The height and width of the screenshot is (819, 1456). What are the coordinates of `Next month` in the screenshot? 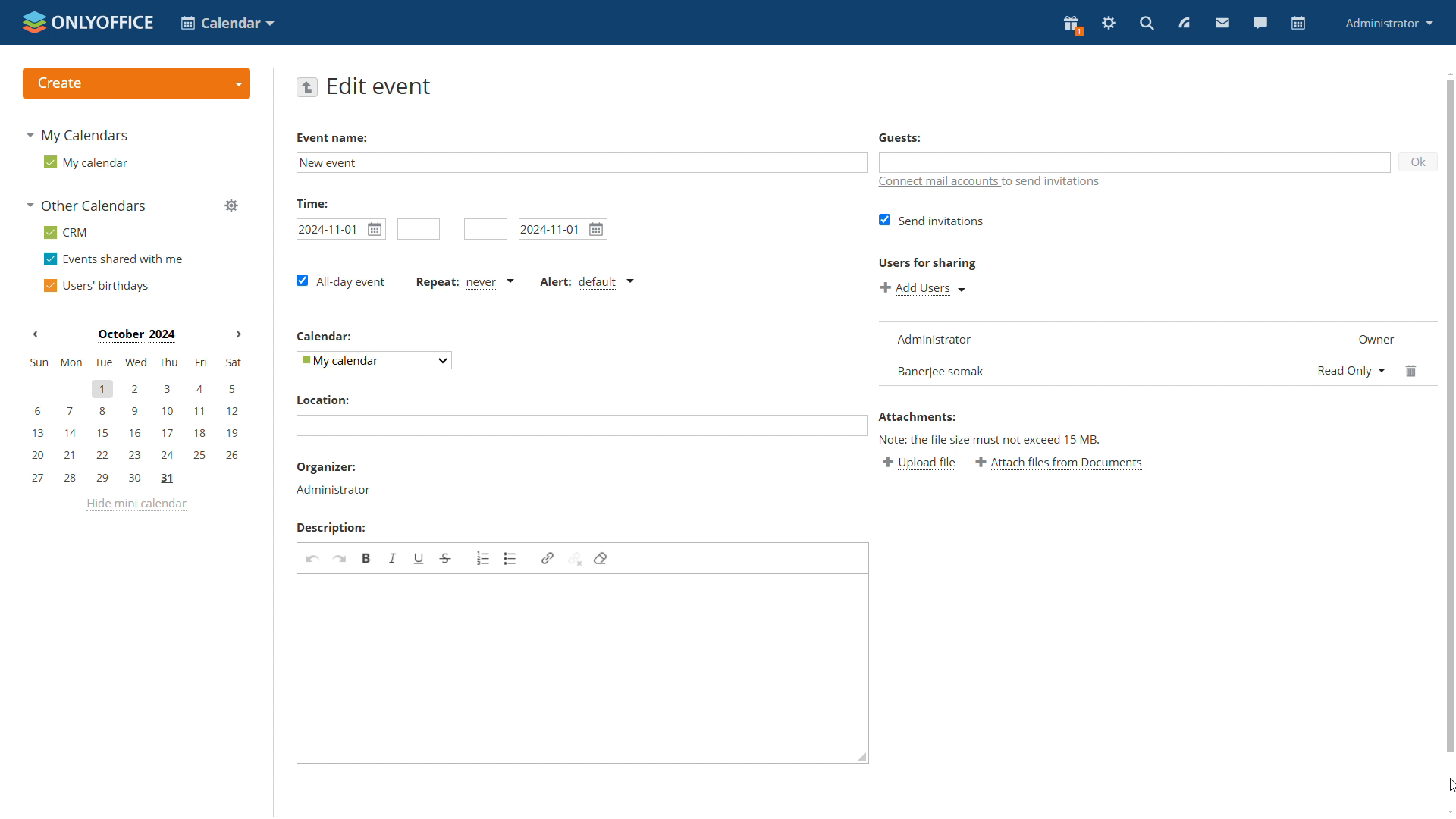 It's located at (236, 335).